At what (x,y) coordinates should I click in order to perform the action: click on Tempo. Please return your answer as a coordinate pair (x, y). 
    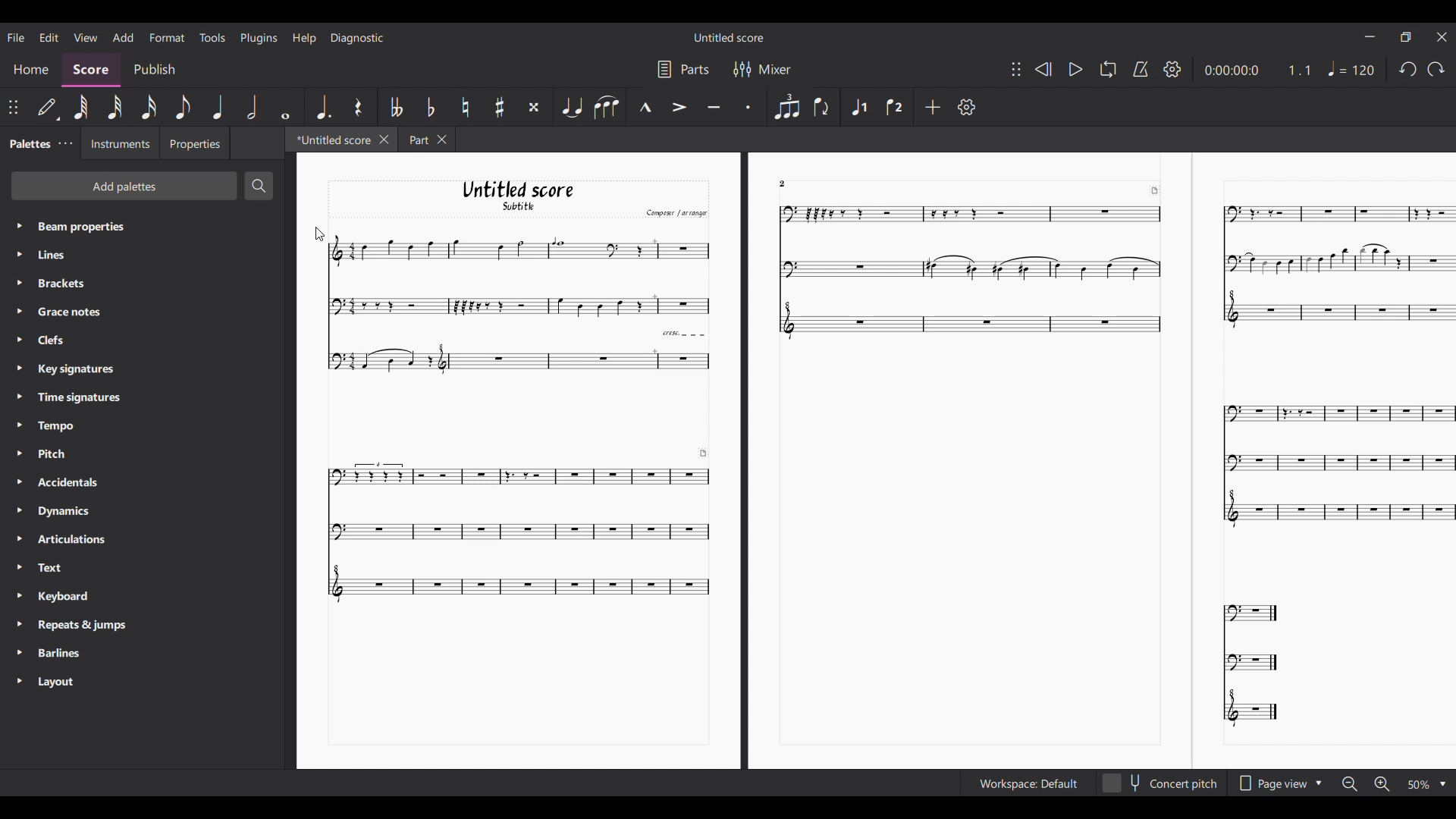
    Looking at the image, I should click on (67, 424).